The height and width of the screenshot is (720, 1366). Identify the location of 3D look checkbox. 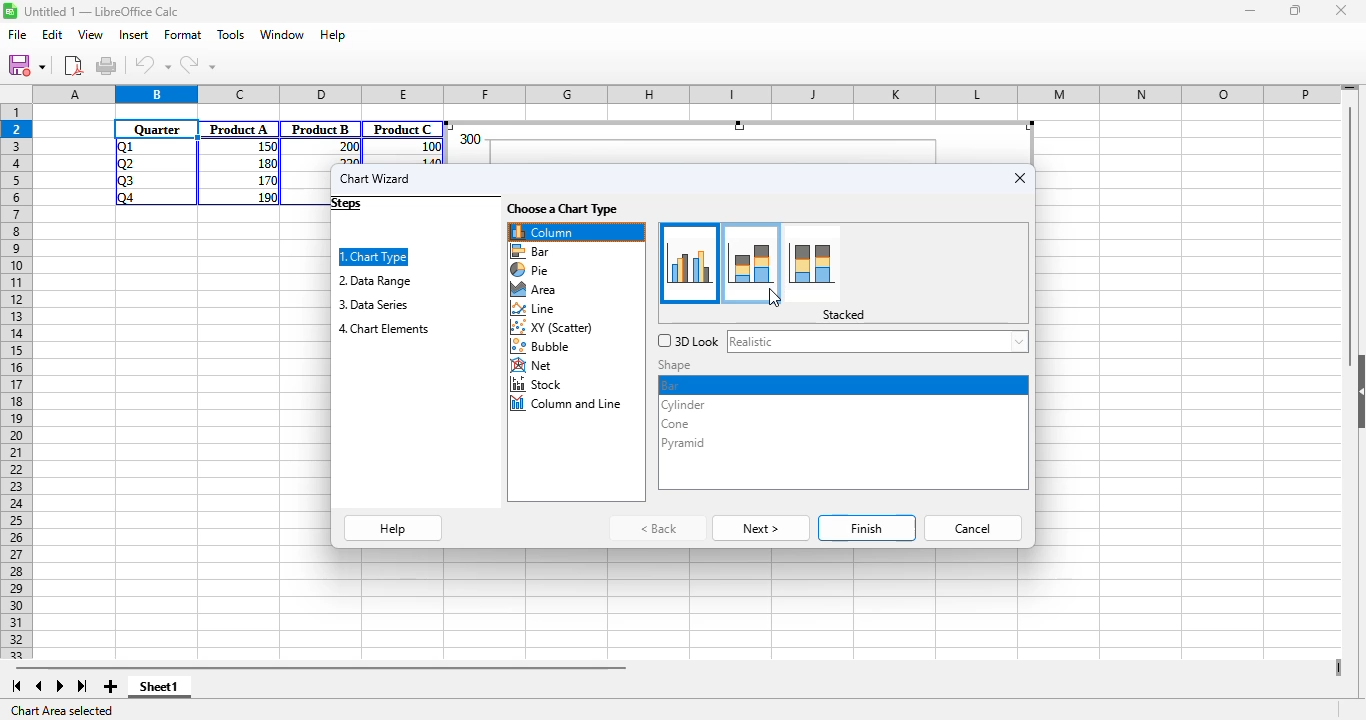
(688, 341).